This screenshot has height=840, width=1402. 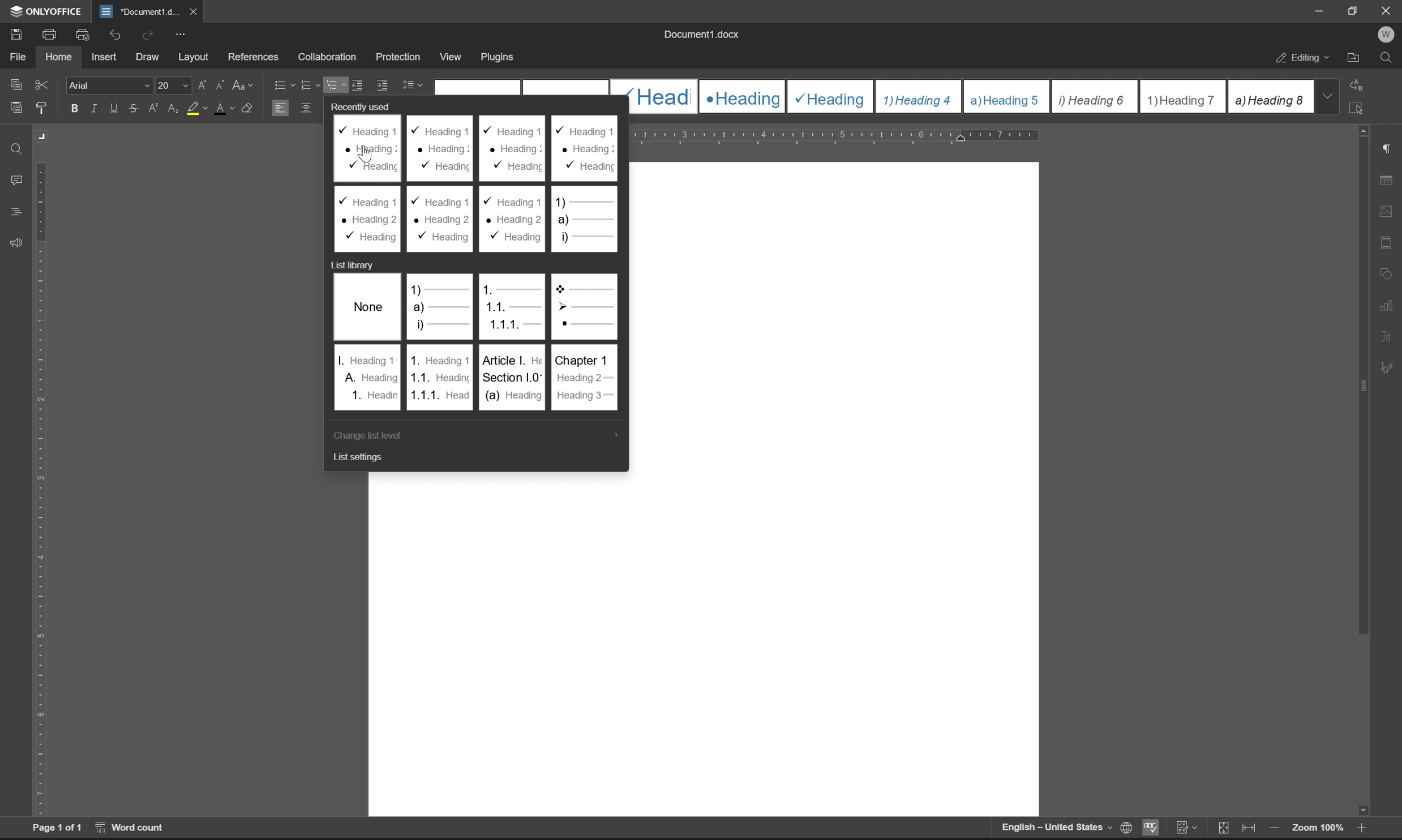 I want to click on fit to slide, so click(x=1223, y=829).